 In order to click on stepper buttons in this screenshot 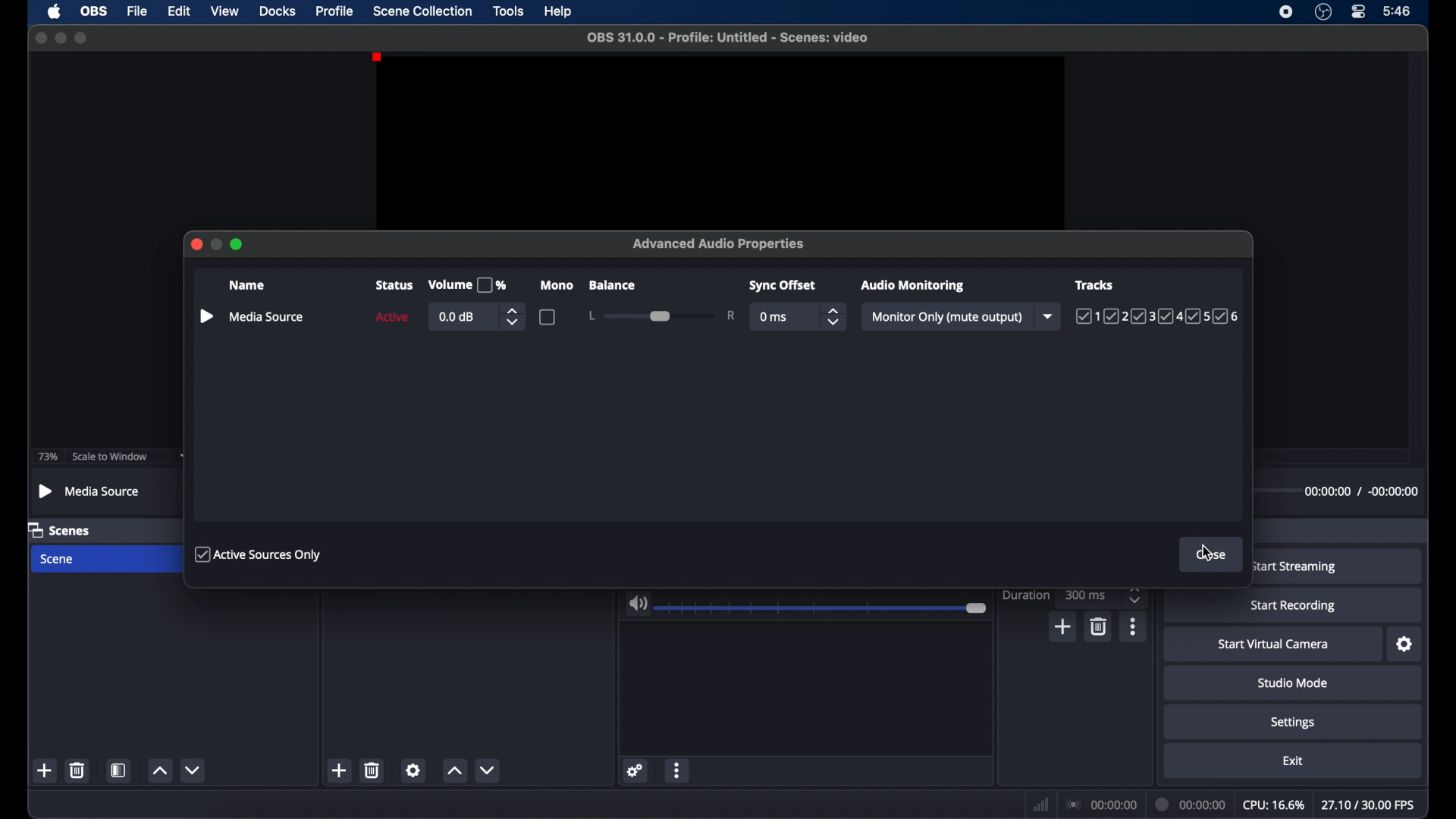, I will do `click(834, 316)`.